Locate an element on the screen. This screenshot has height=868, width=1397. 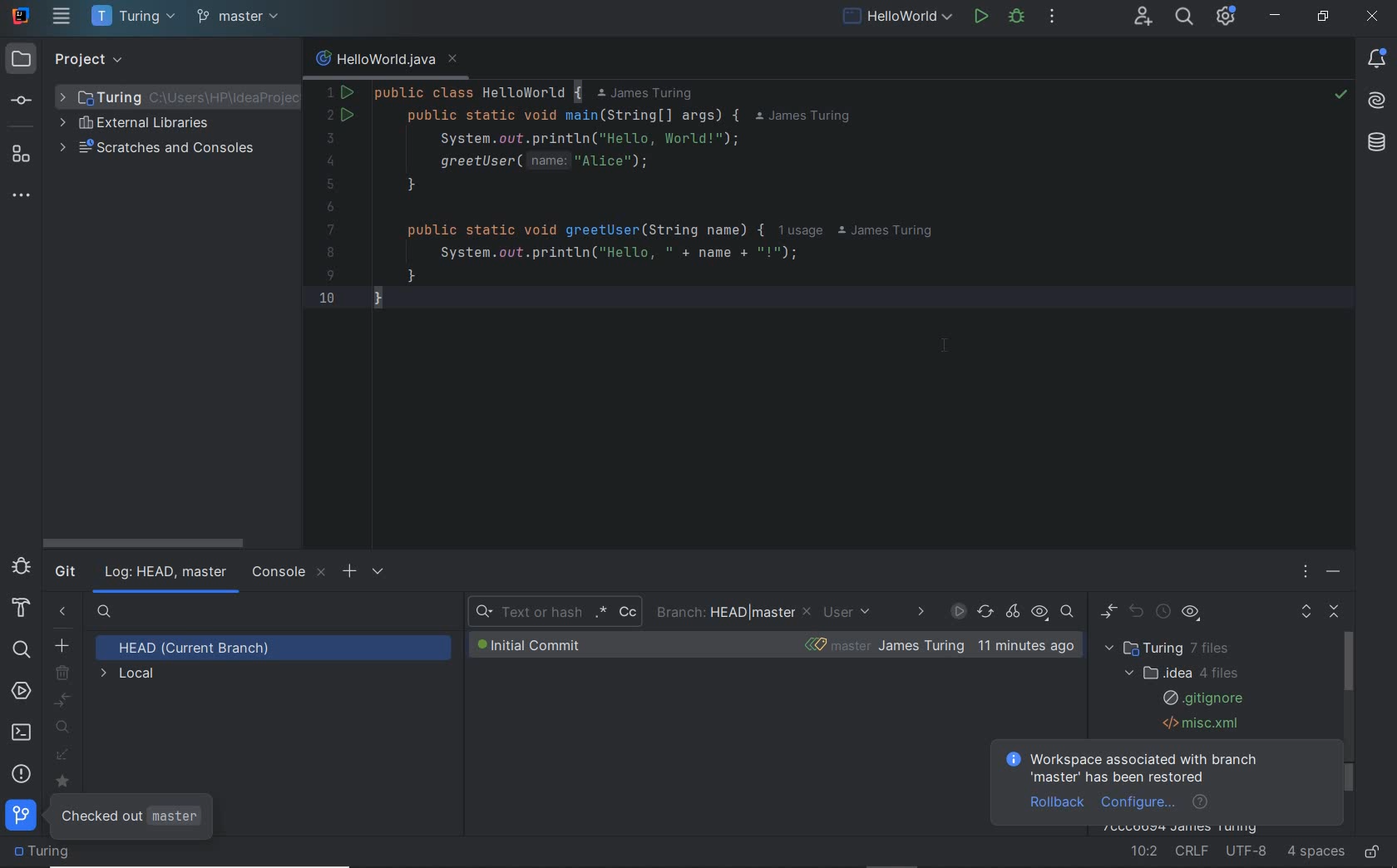
file name is located at coordinates (386, 62).